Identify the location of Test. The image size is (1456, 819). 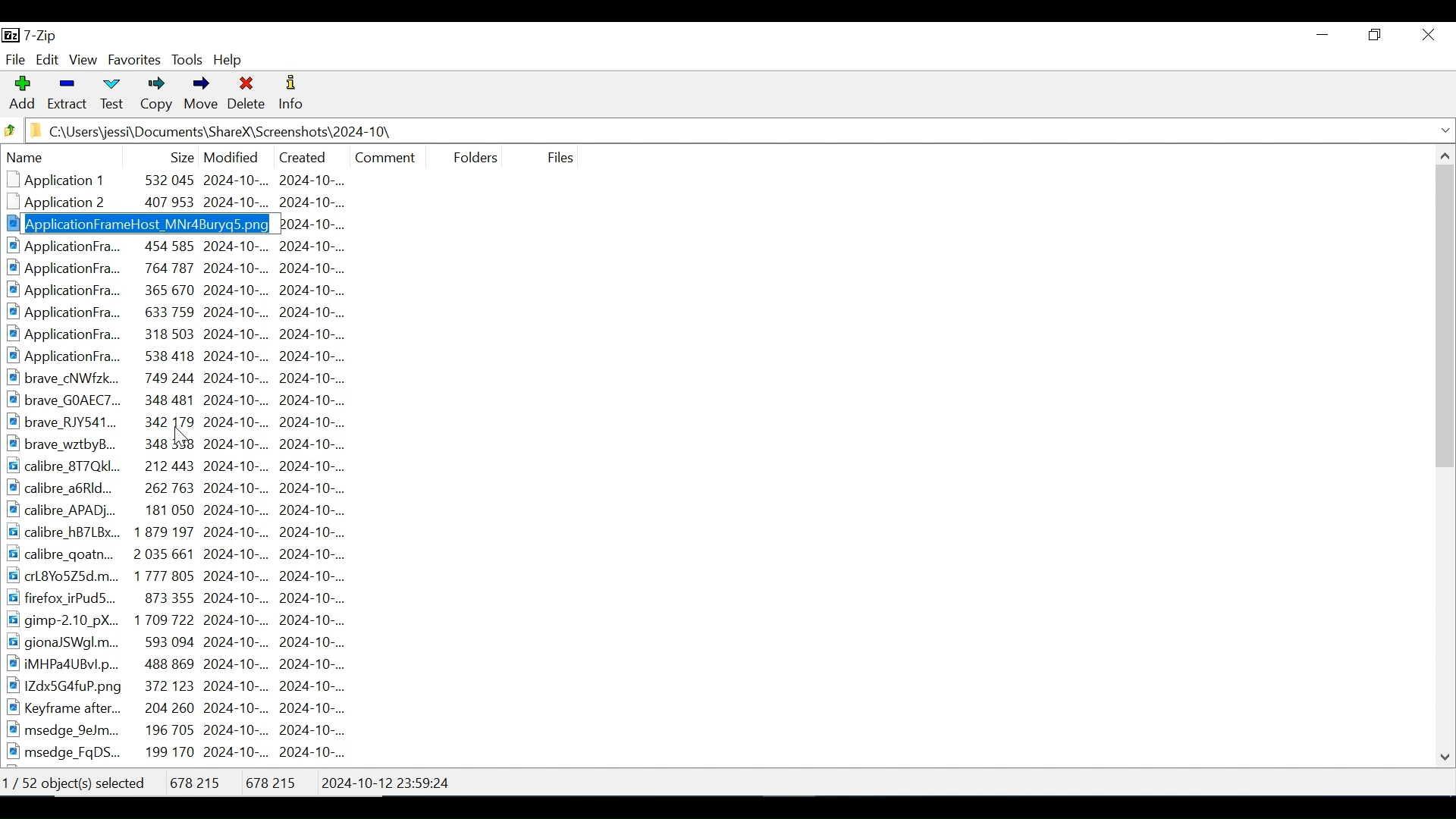
(110, 96).